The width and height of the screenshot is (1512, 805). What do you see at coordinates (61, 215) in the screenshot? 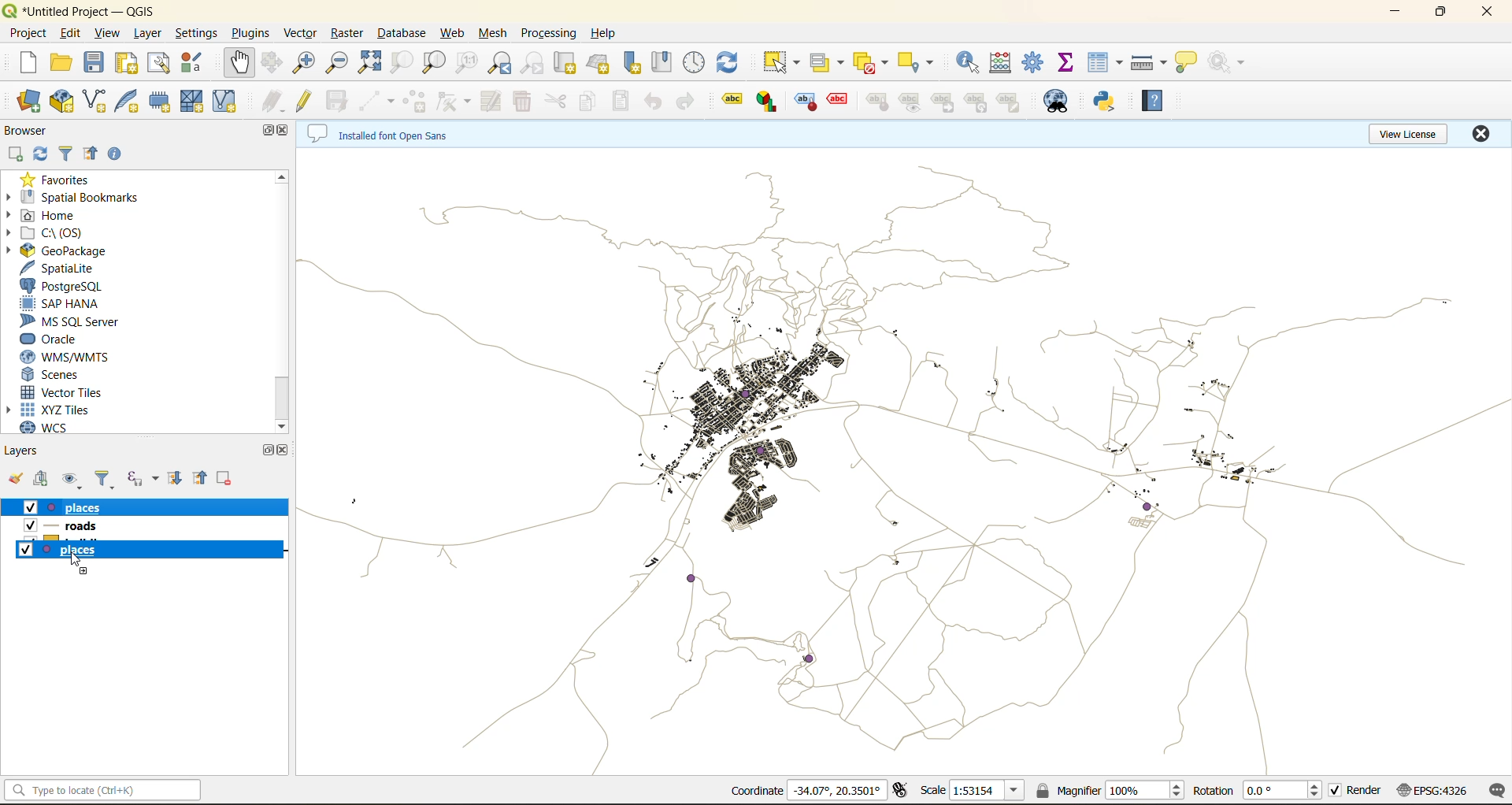
I see `home` at bounding box center [61, 215].